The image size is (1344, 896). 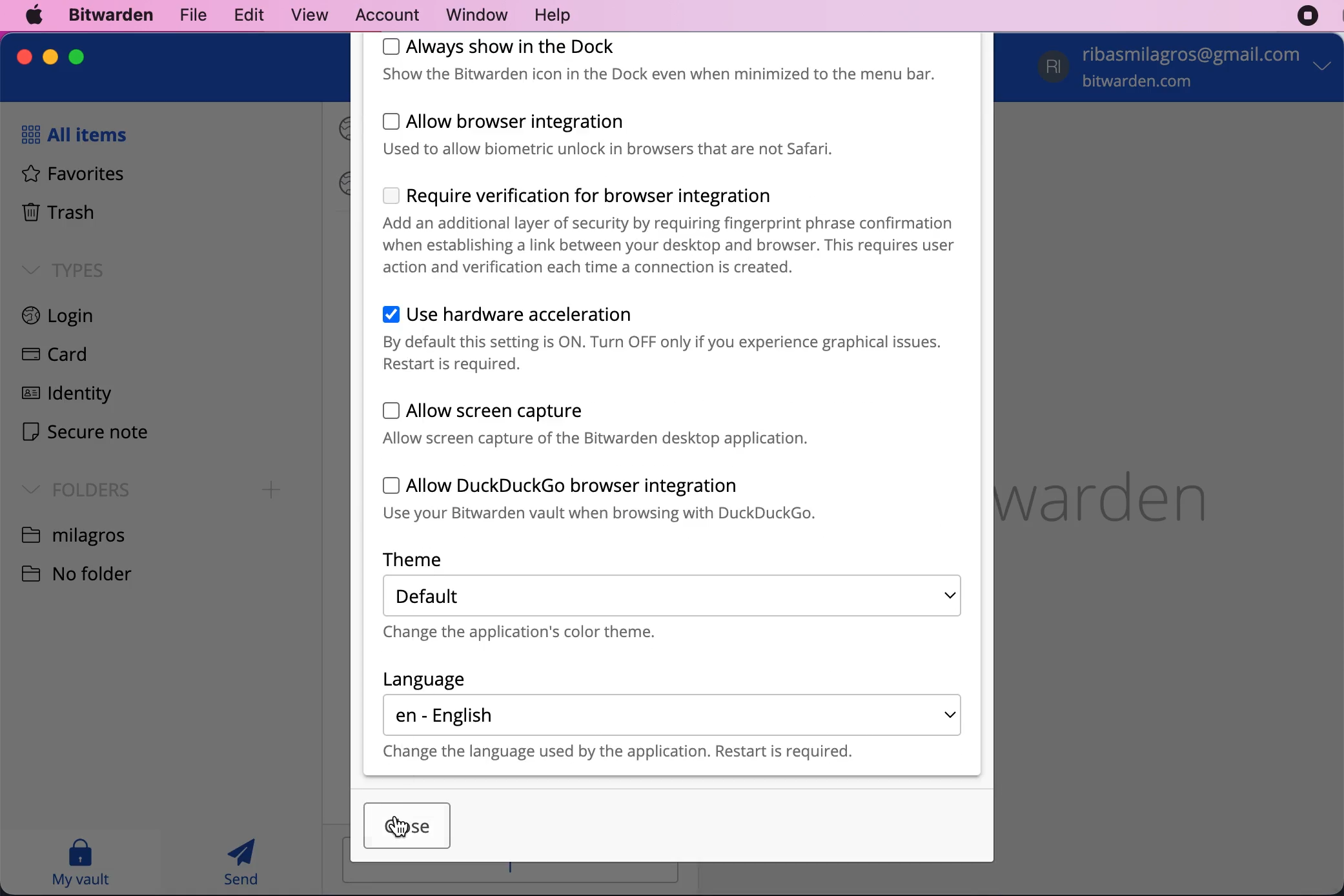 What do you see at coordinates (1126, 491) in the screenshot?
I see `bitwarden logo` at bounding box center [1126, 491].